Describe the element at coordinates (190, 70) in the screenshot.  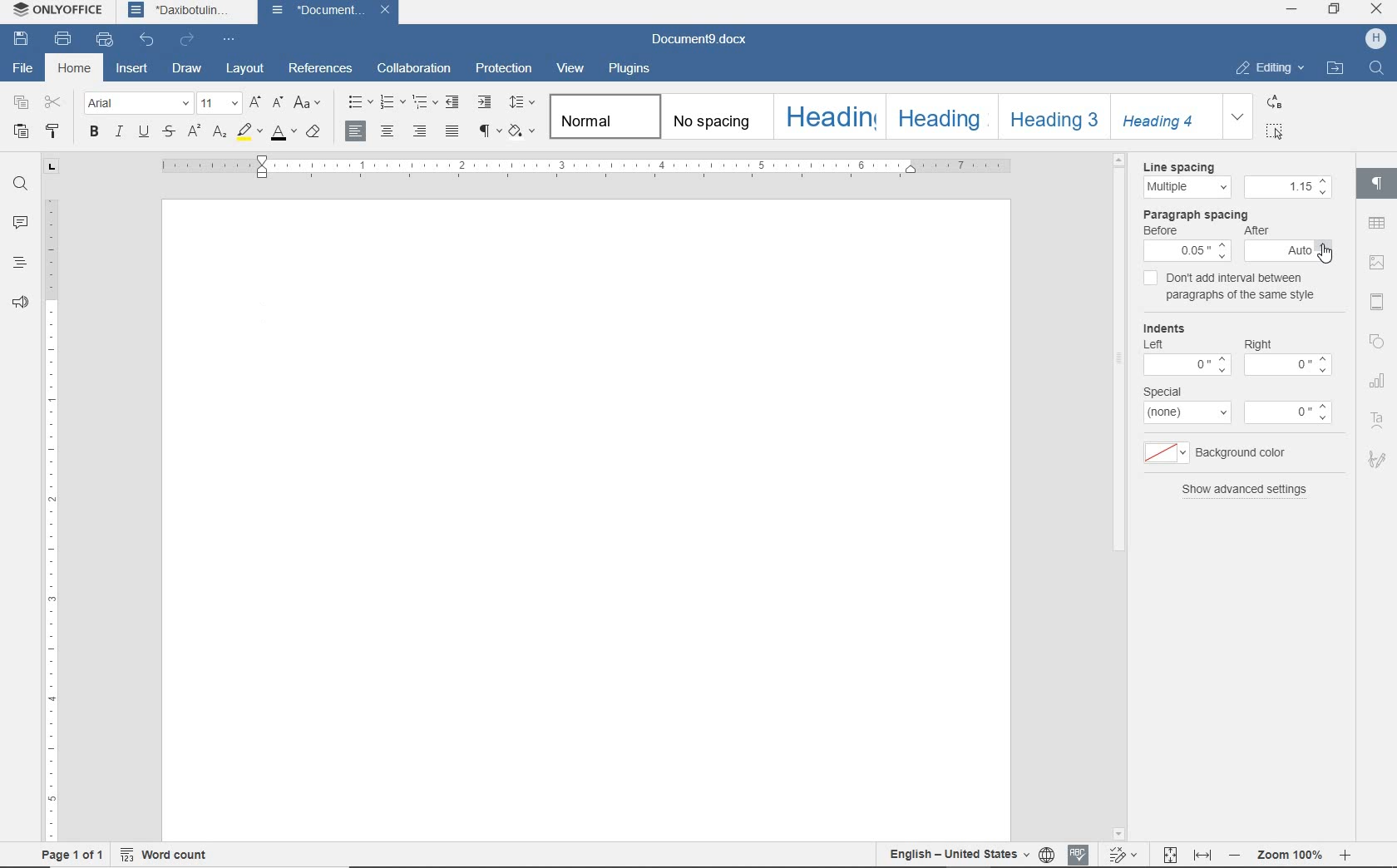
I see `draw` at that location.